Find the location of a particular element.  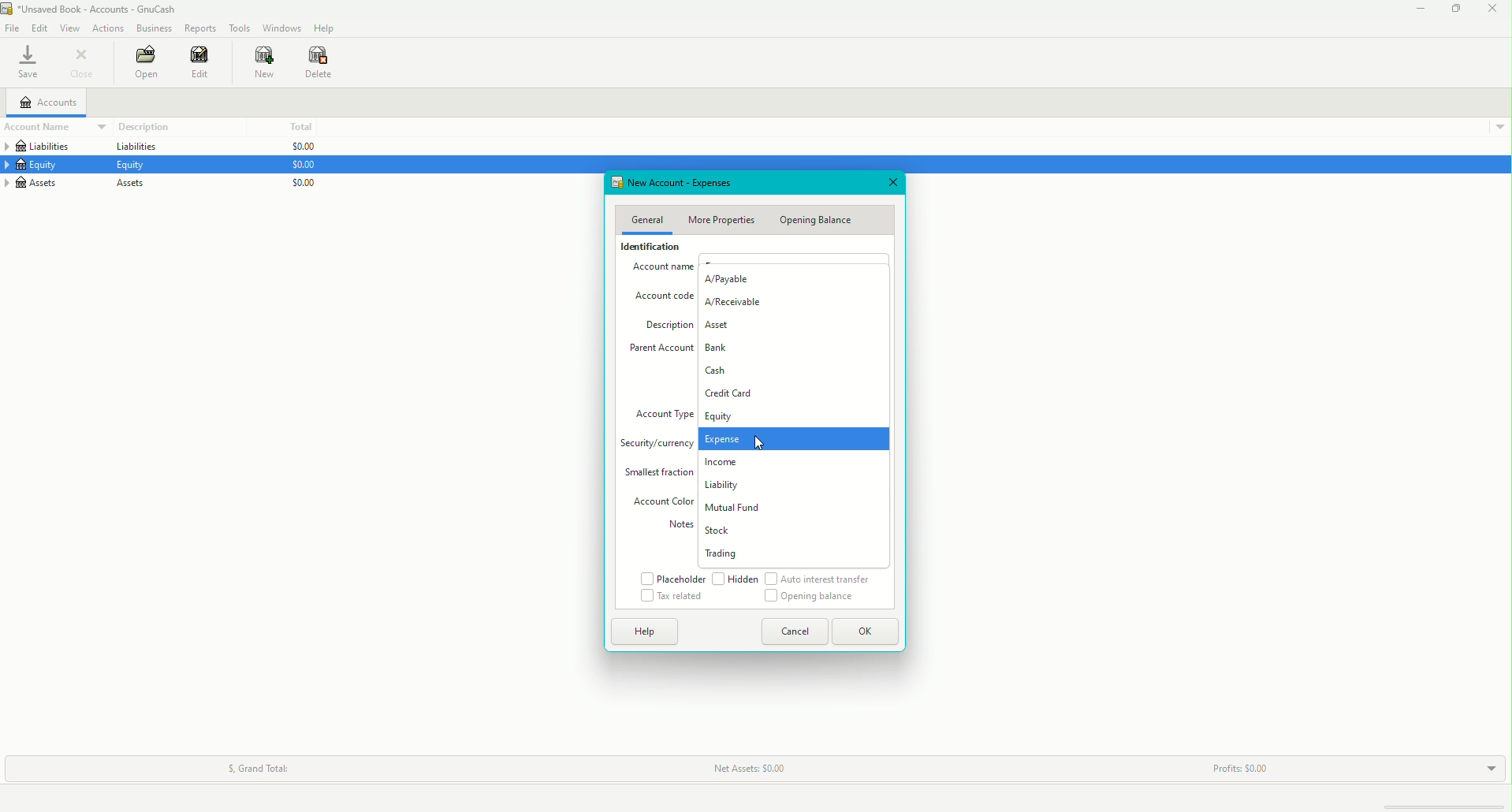

 is located at coordinates (133, 166).